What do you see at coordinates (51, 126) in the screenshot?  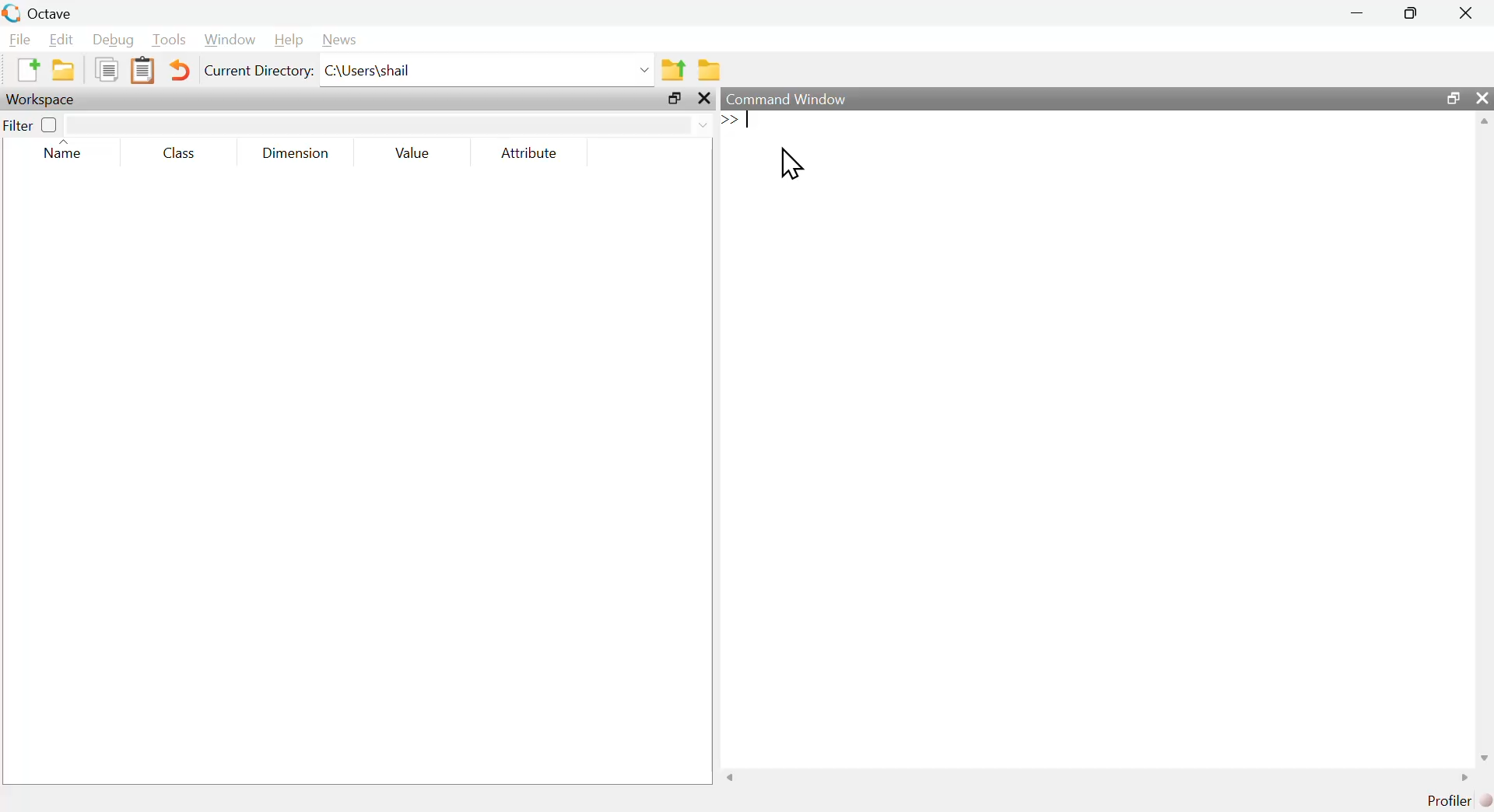 I see `checkbox` at bounding box center [51, 126].